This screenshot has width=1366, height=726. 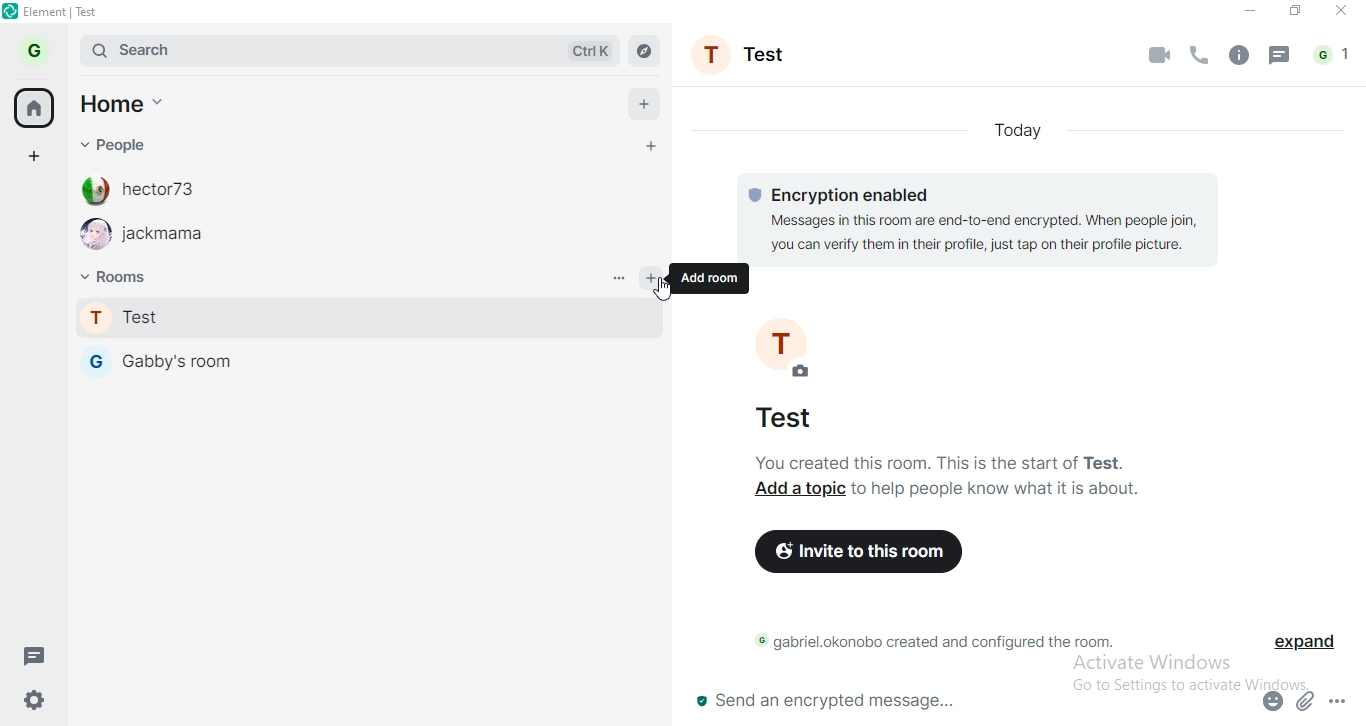 What do you see at coordinates (37, 164) in the screenshot?
I see `add space` at bounding box center [37, 164].